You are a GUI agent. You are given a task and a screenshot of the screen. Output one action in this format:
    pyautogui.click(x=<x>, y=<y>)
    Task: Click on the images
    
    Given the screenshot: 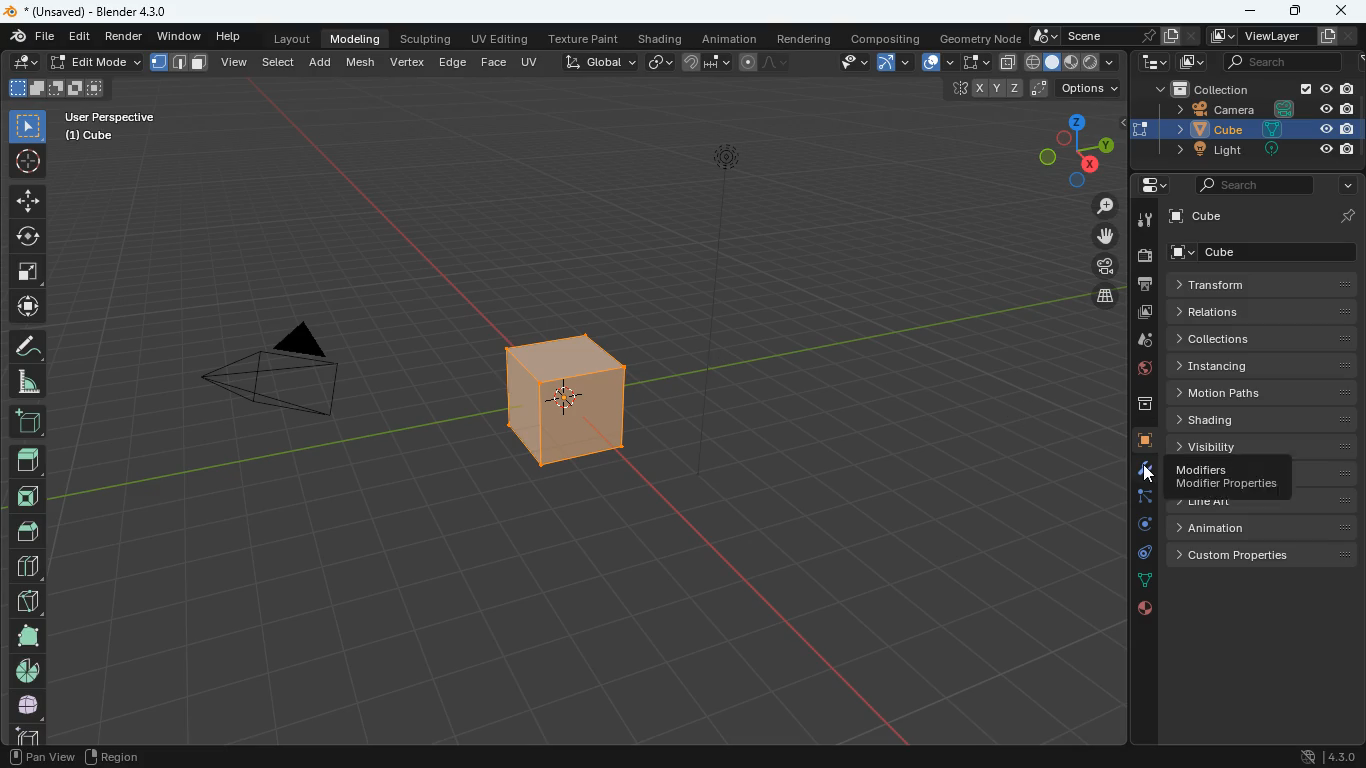 What is the action you would take?
    pyautogui.click(x=1140, y=314)
    